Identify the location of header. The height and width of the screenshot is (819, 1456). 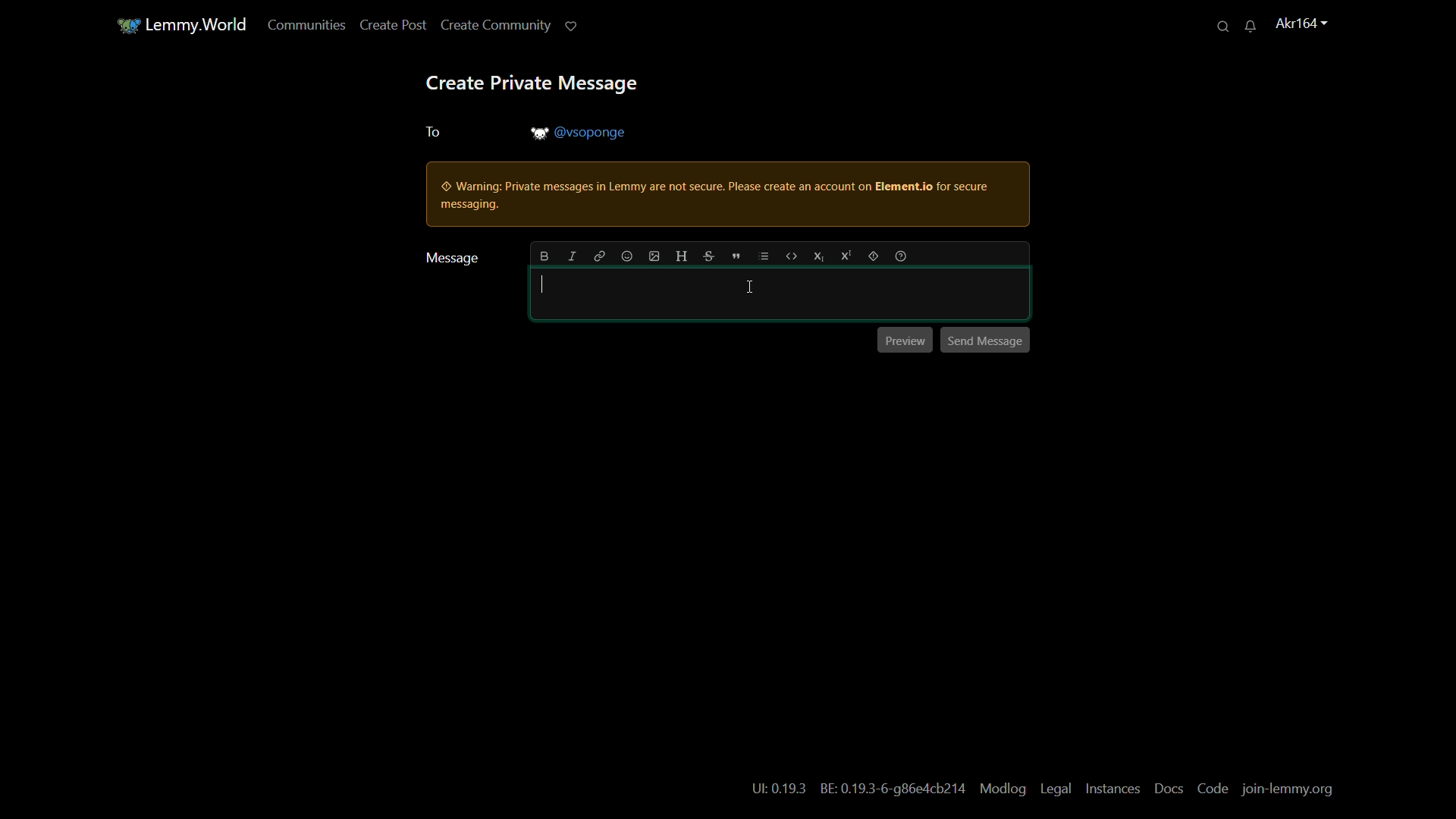
(682, 256).